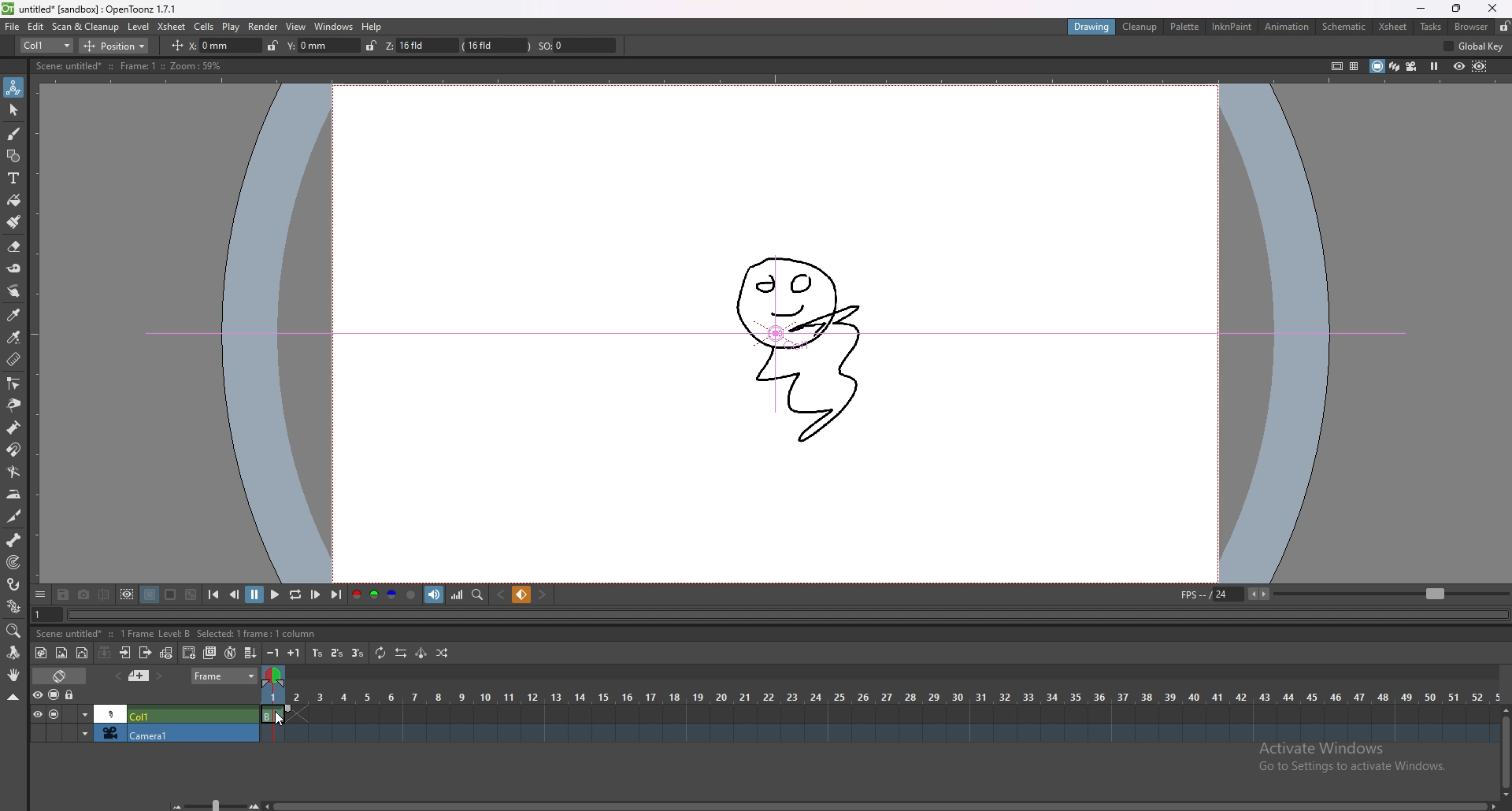 This screenshot has height=811, width=1512. I want to click on histogram, so click(458, 595).